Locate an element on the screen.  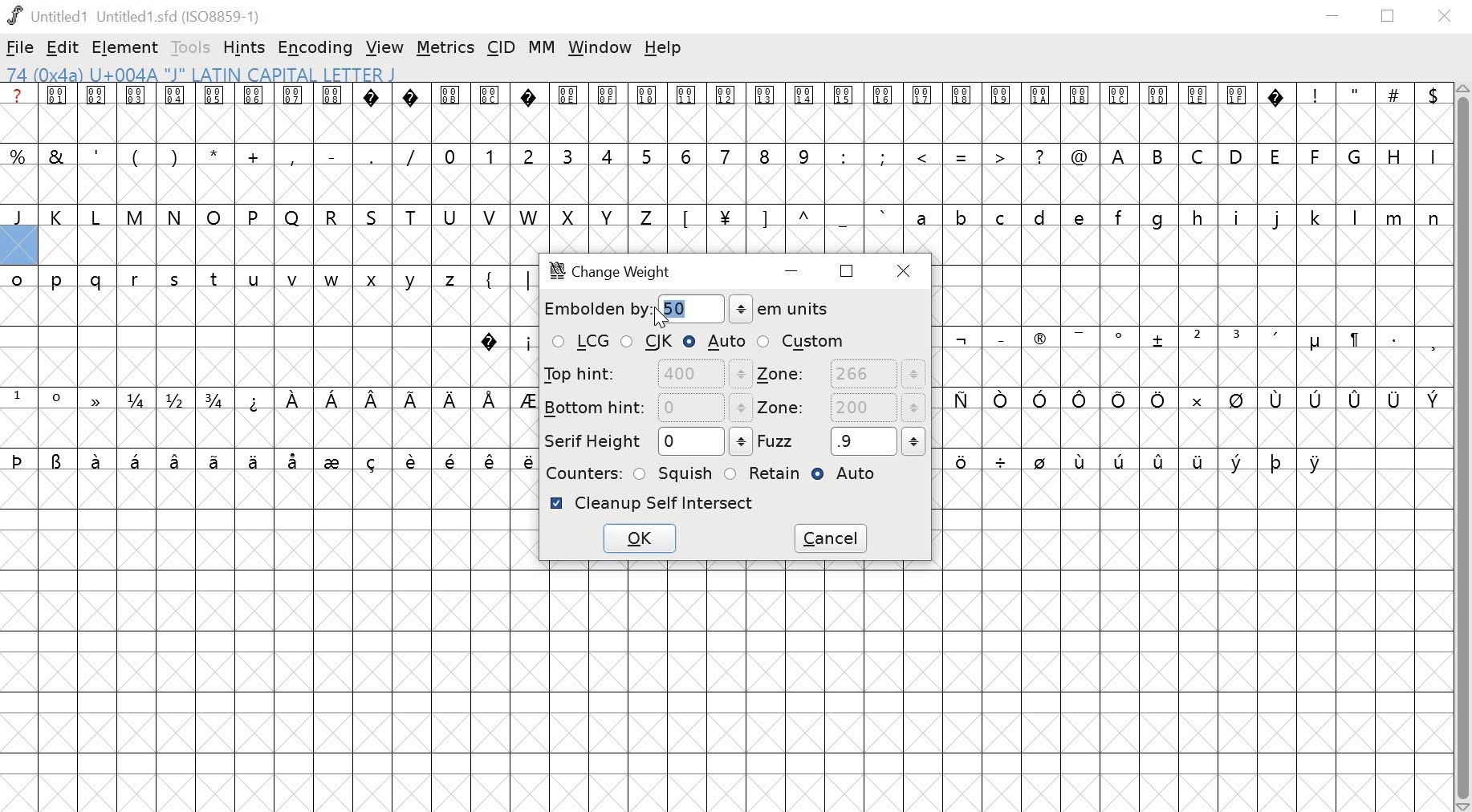
Cursor is located at coordinates (661, 317).